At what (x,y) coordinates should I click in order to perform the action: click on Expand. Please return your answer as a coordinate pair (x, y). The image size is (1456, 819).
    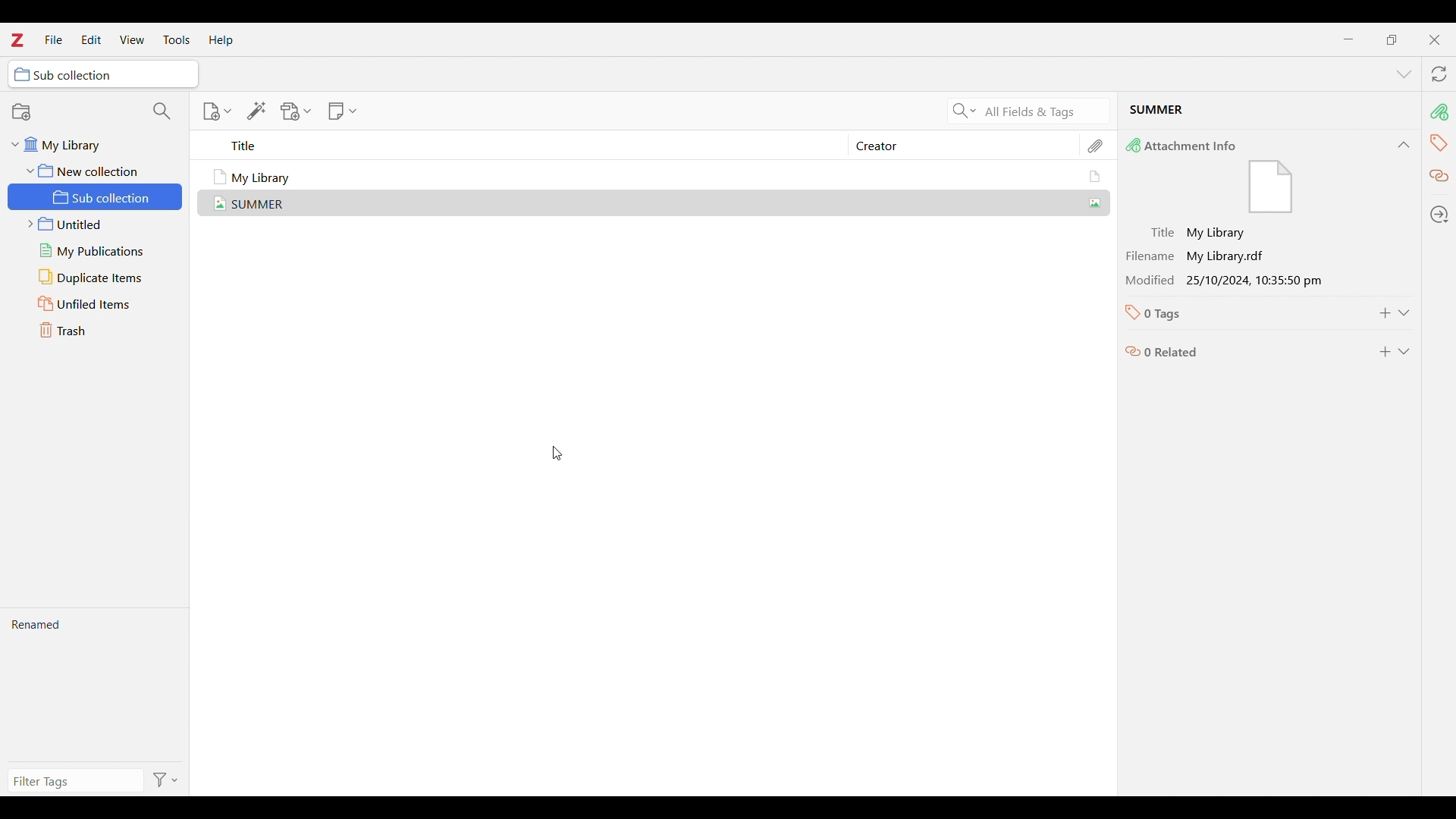
    Looking at the image, I should click on (1404, 352).